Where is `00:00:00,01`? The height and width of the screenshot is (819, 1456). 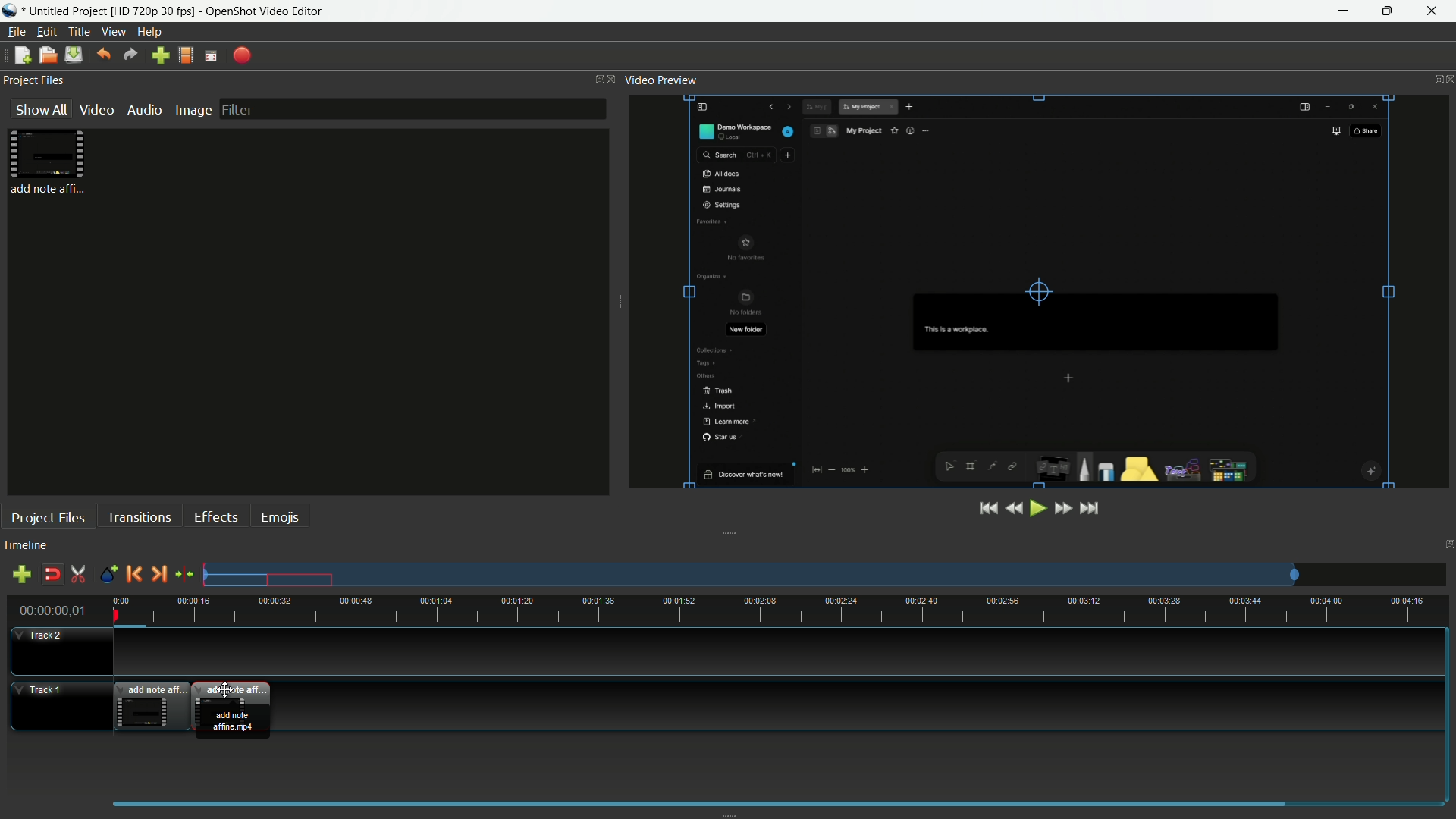
00:00:00,01 is located at coordinates (53, 609).